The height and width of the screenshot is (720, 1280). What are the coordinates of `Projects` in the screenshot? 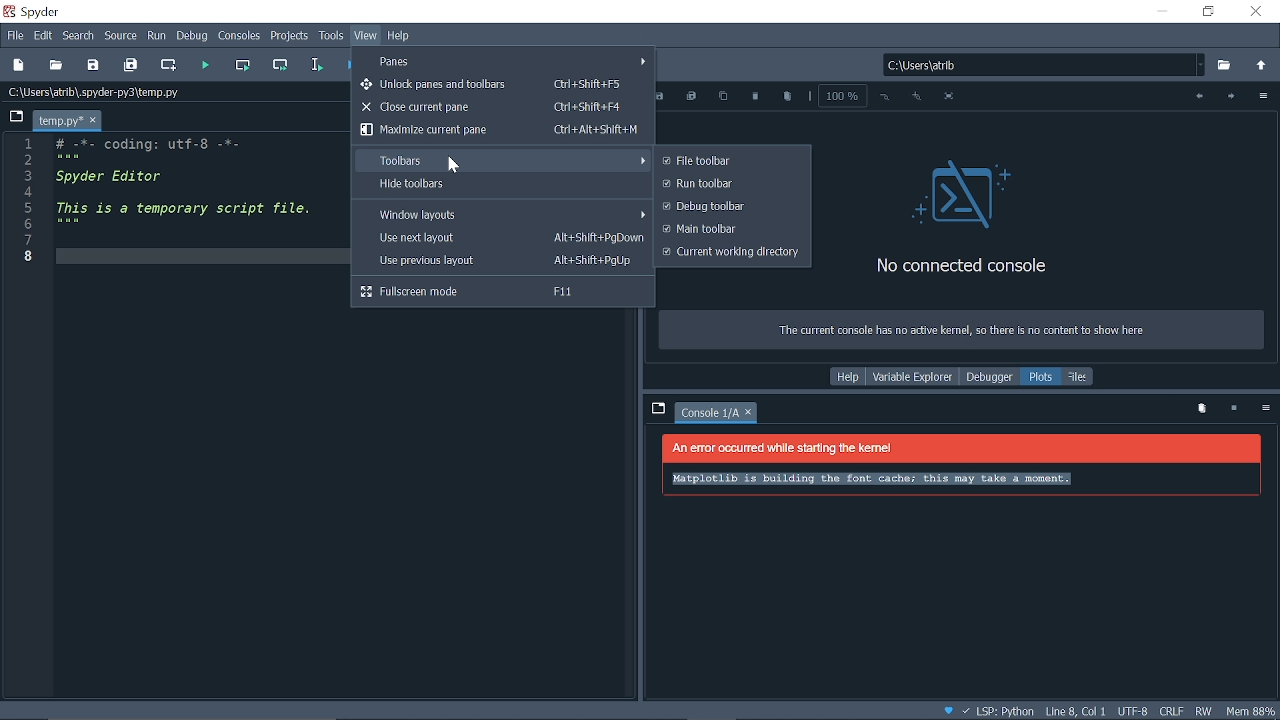 It's located at (290, 38).